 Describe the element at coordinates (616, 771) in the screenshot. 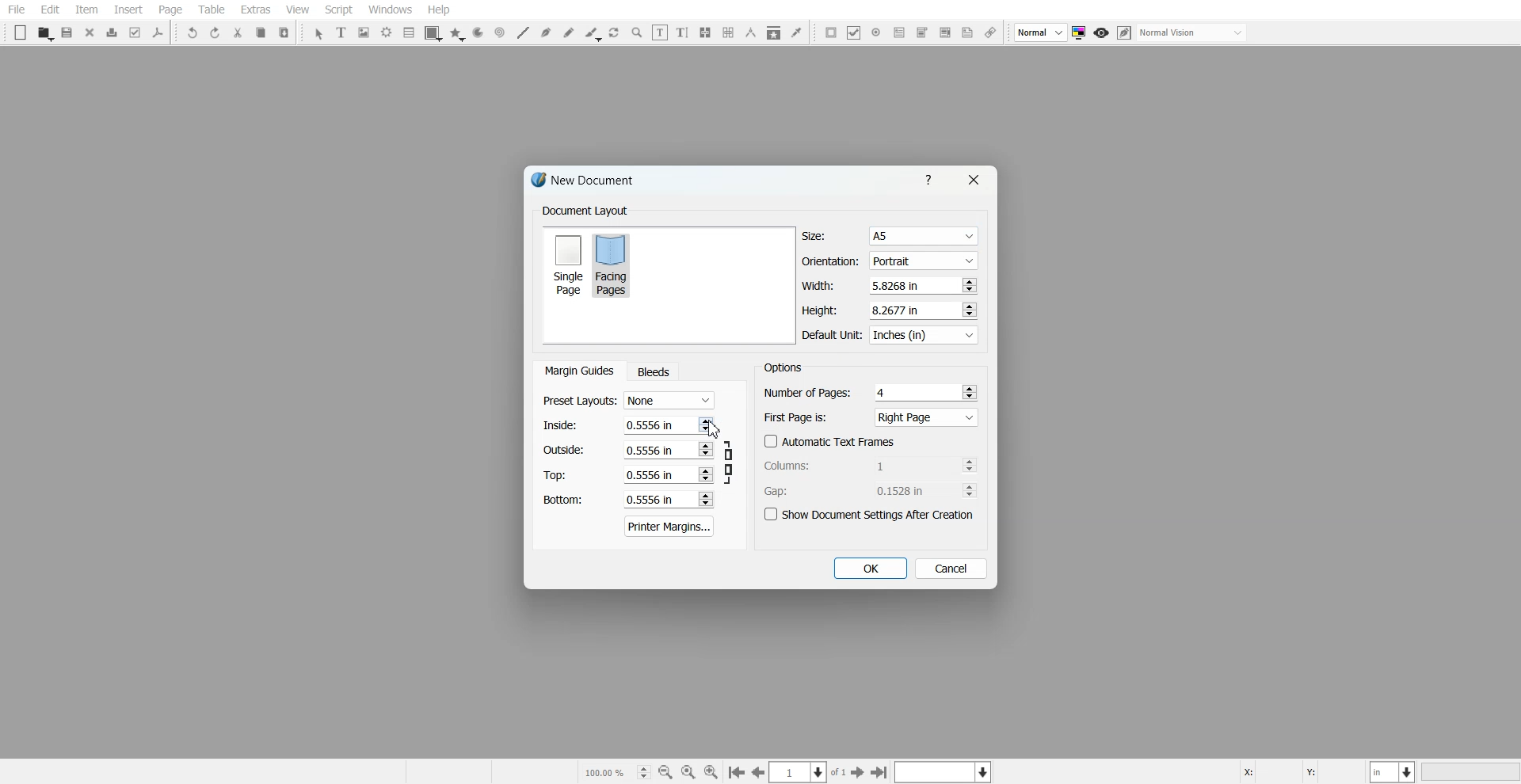

I see `Select current zoom` at that location.